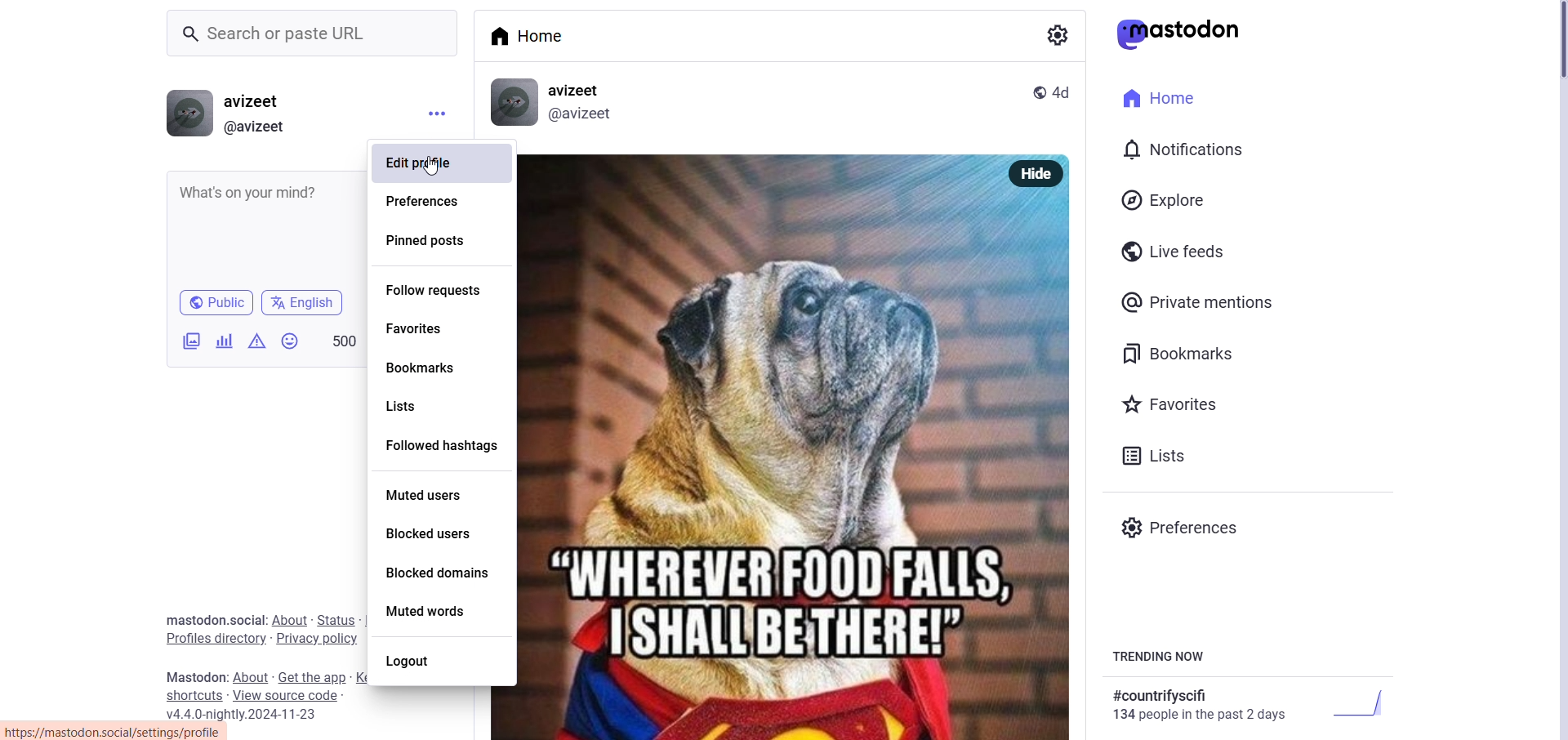 The width and height of the screenshot is (1568, 740). Describe the element at coordinates (541, 38) in the screenshot. I see `home` at that location.